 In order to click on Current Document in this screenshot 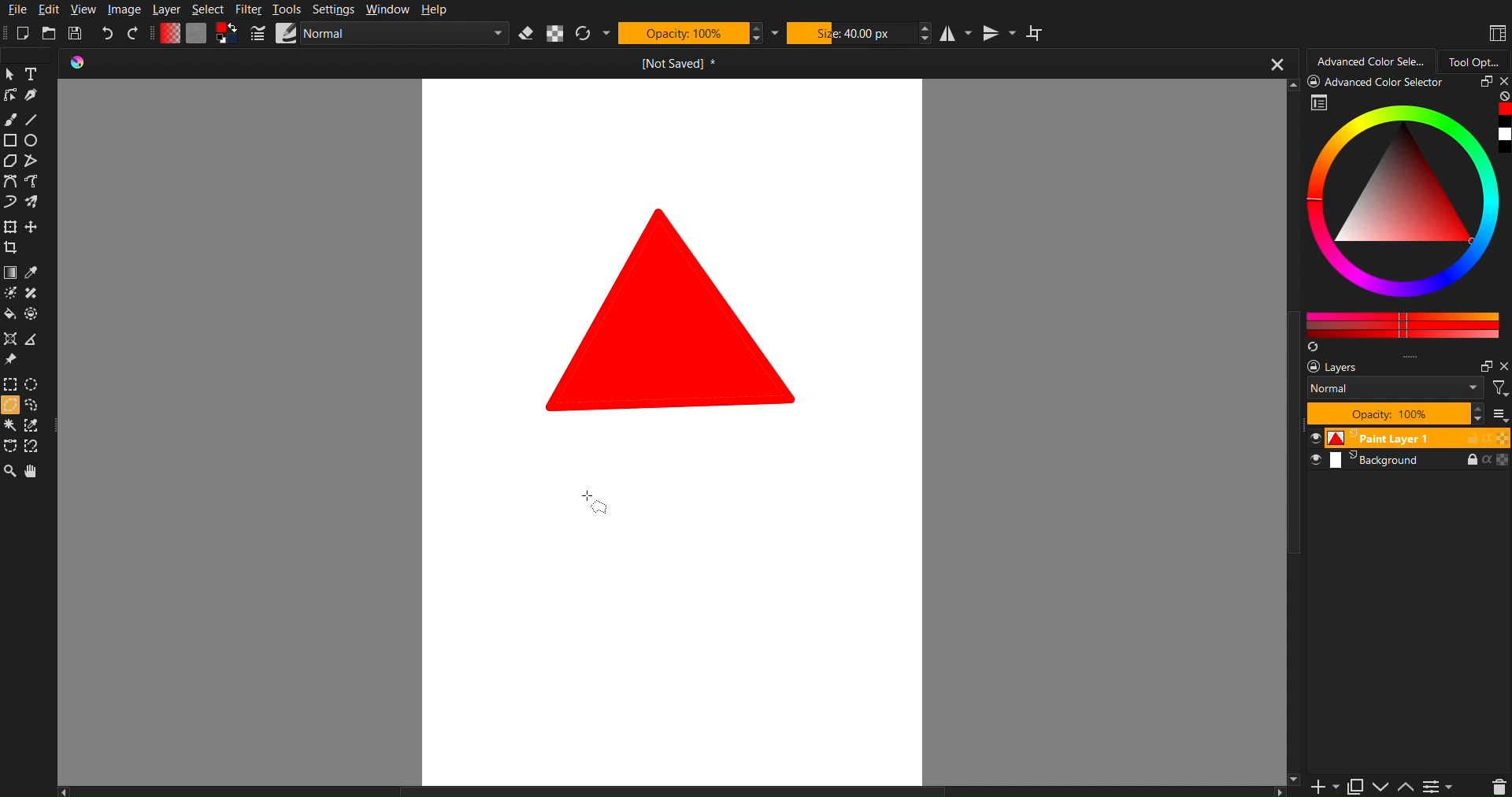, I will do `click(679, 63)`.